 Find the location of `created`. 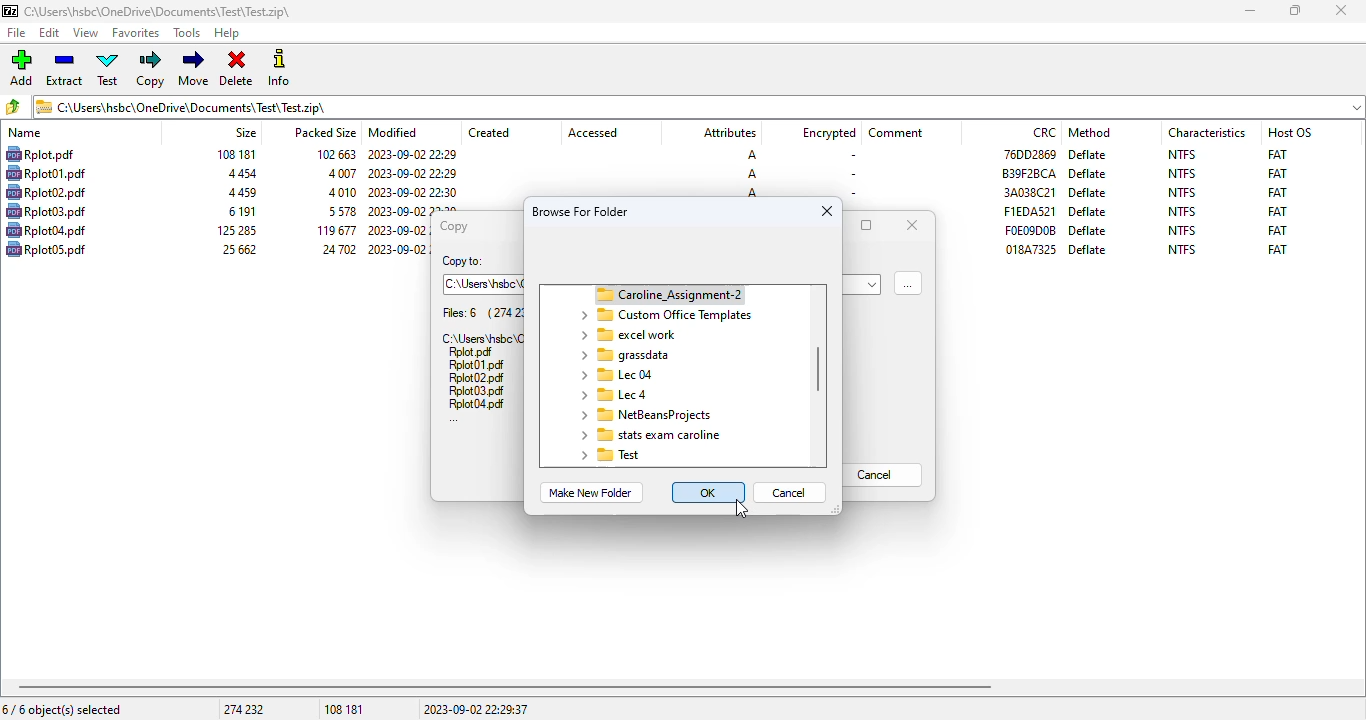

created is located at coordinates (489, 133).